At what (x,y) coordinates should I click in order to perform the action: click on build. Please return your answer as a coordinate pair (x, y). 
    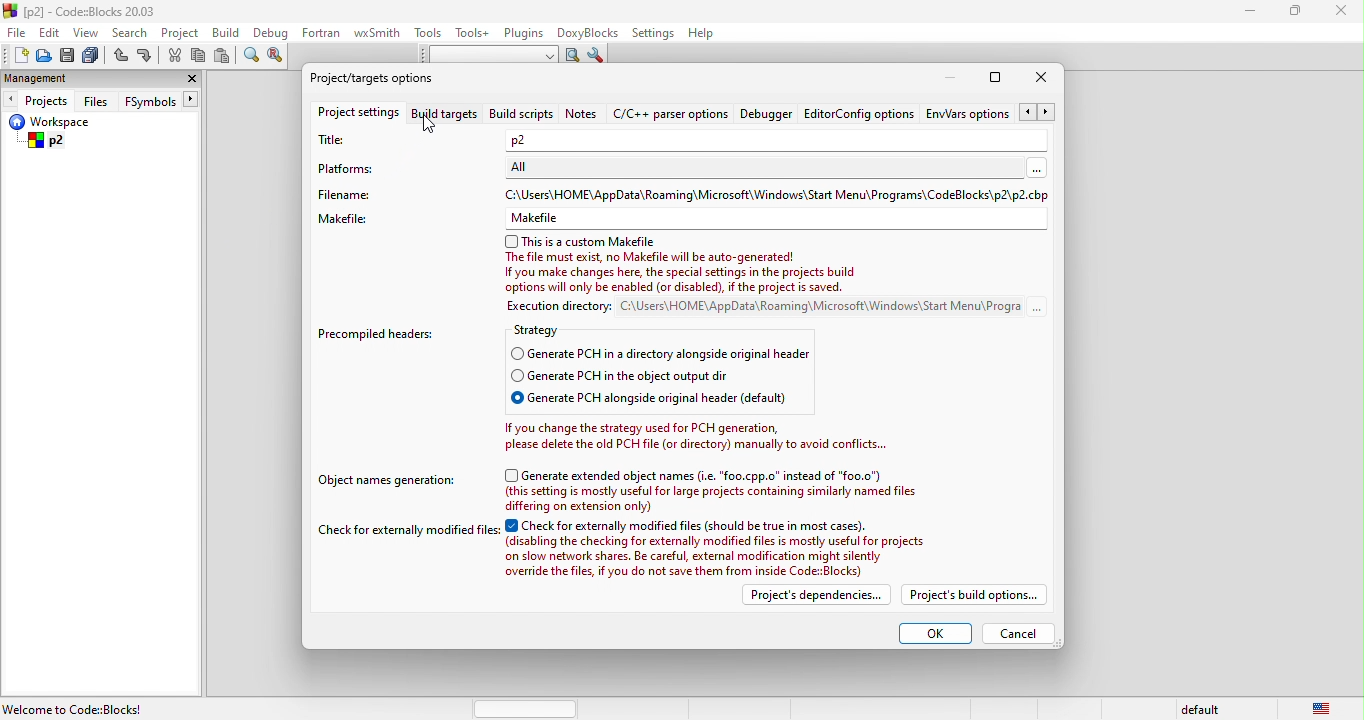
    Looking at the image, I should click on (231, 34).